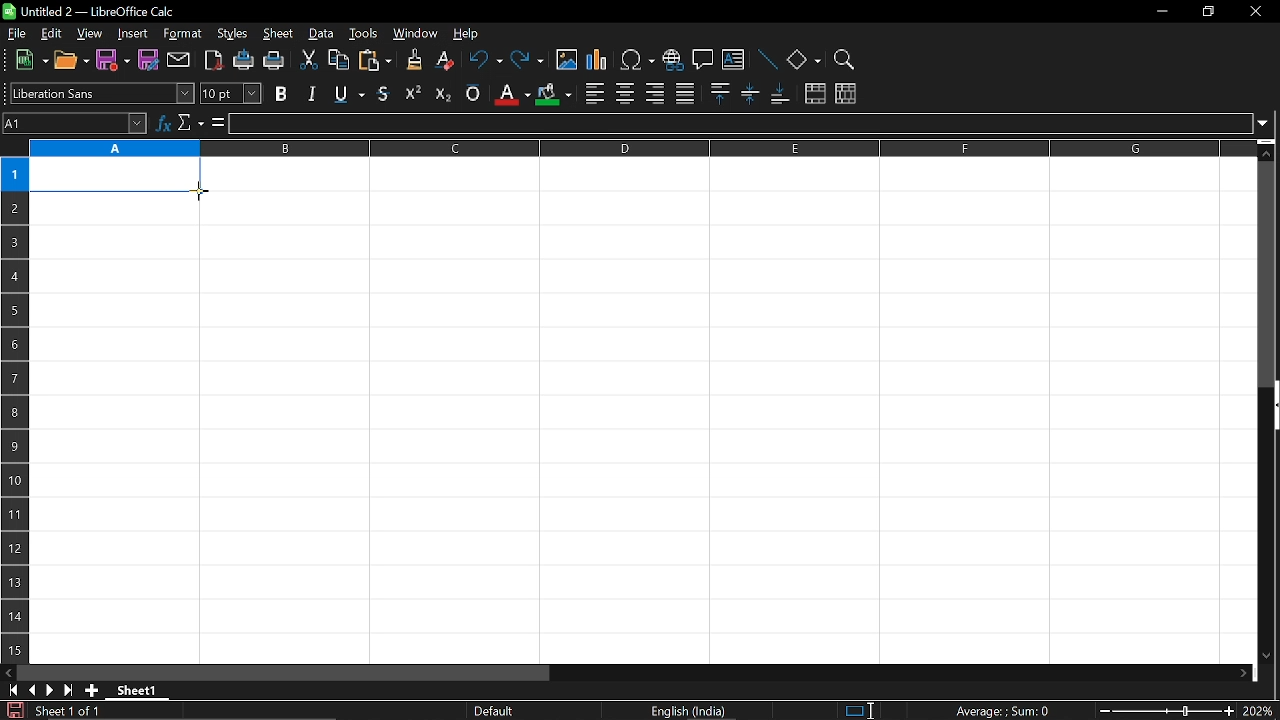  Describe the element at coordinates (1257, 12) in the screenshot. I see `close` at that location.